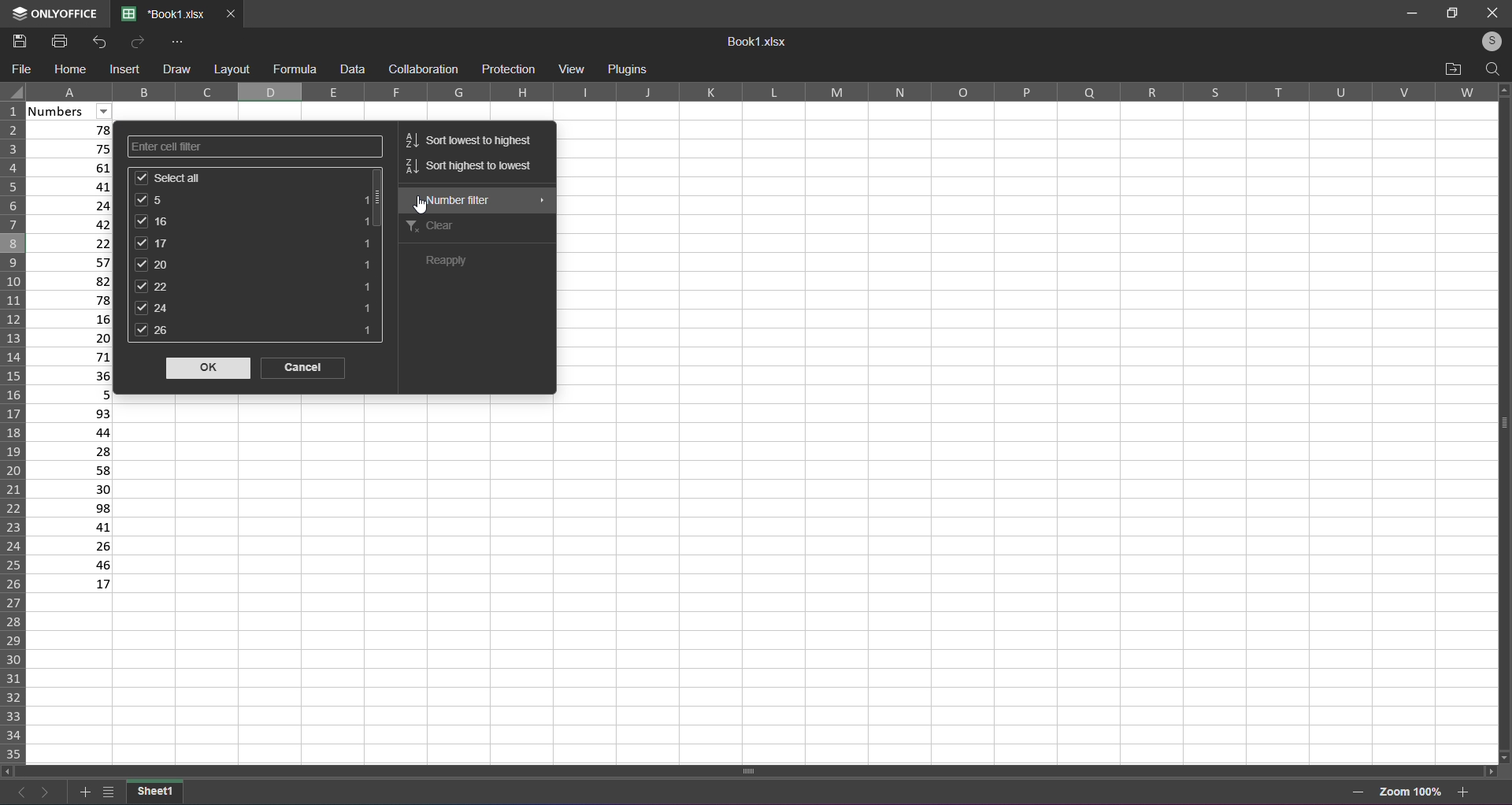 Image resolution: width=1512 pixels, height=805 pixels. Describe the element at coordinates (69, 489) in the screenshot. I see `30` at that location.